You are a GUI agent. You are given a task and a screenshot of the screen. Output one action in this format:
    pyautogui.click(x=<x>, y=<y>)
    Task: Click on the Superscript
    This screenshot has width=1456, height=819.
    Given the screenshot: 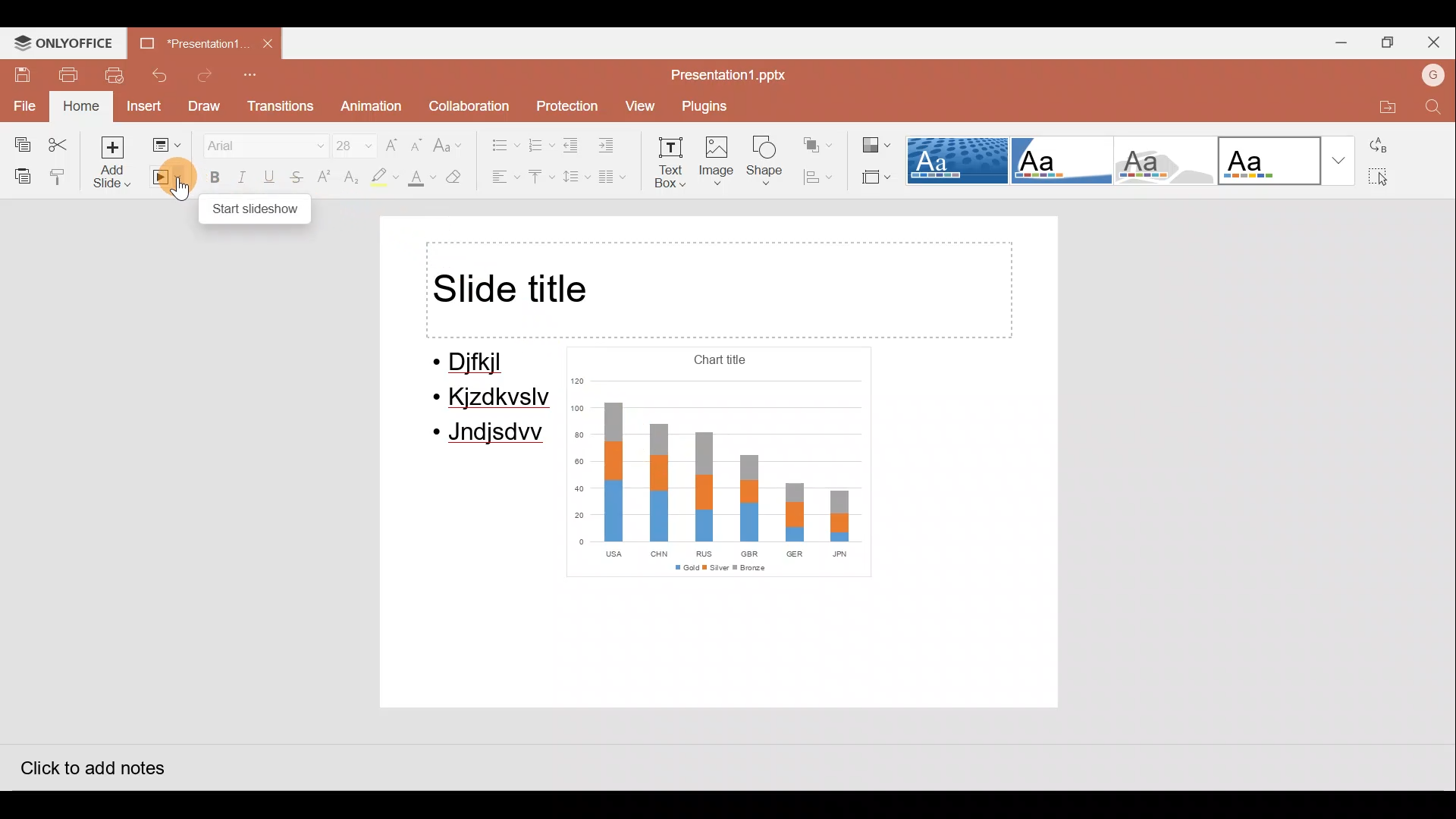 What is the action you would take?
    pyautogui.click(x=323, y=178)
    